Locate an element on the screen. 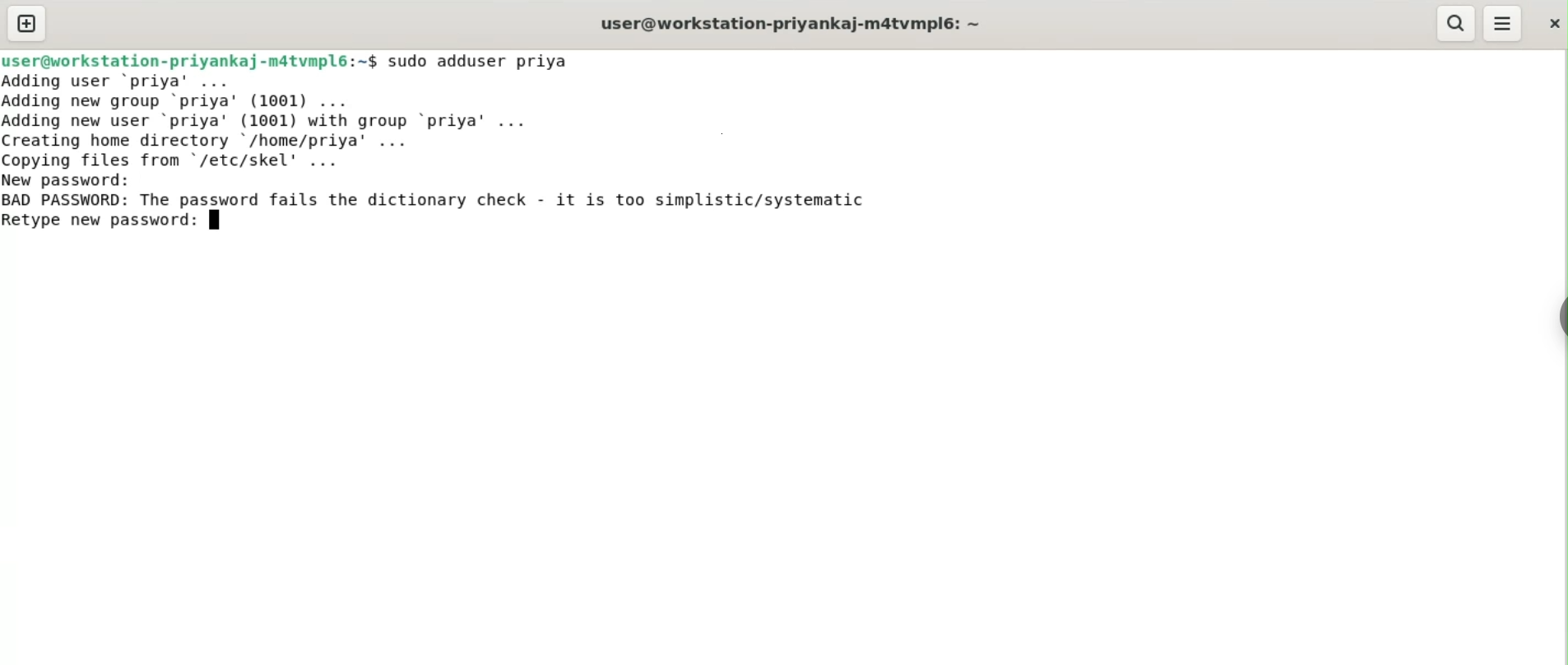 The image size is (1568, 665). Adding user ‘priya’ ...

Adding new group ‘priya’ (1001) ...

Adding new user ‘priya' (1001) with group ‘priya’ ...
Creating home directory /home/priya’ ...

Copving files from "/etc/skel' ... is located at coordinates (318, 119).